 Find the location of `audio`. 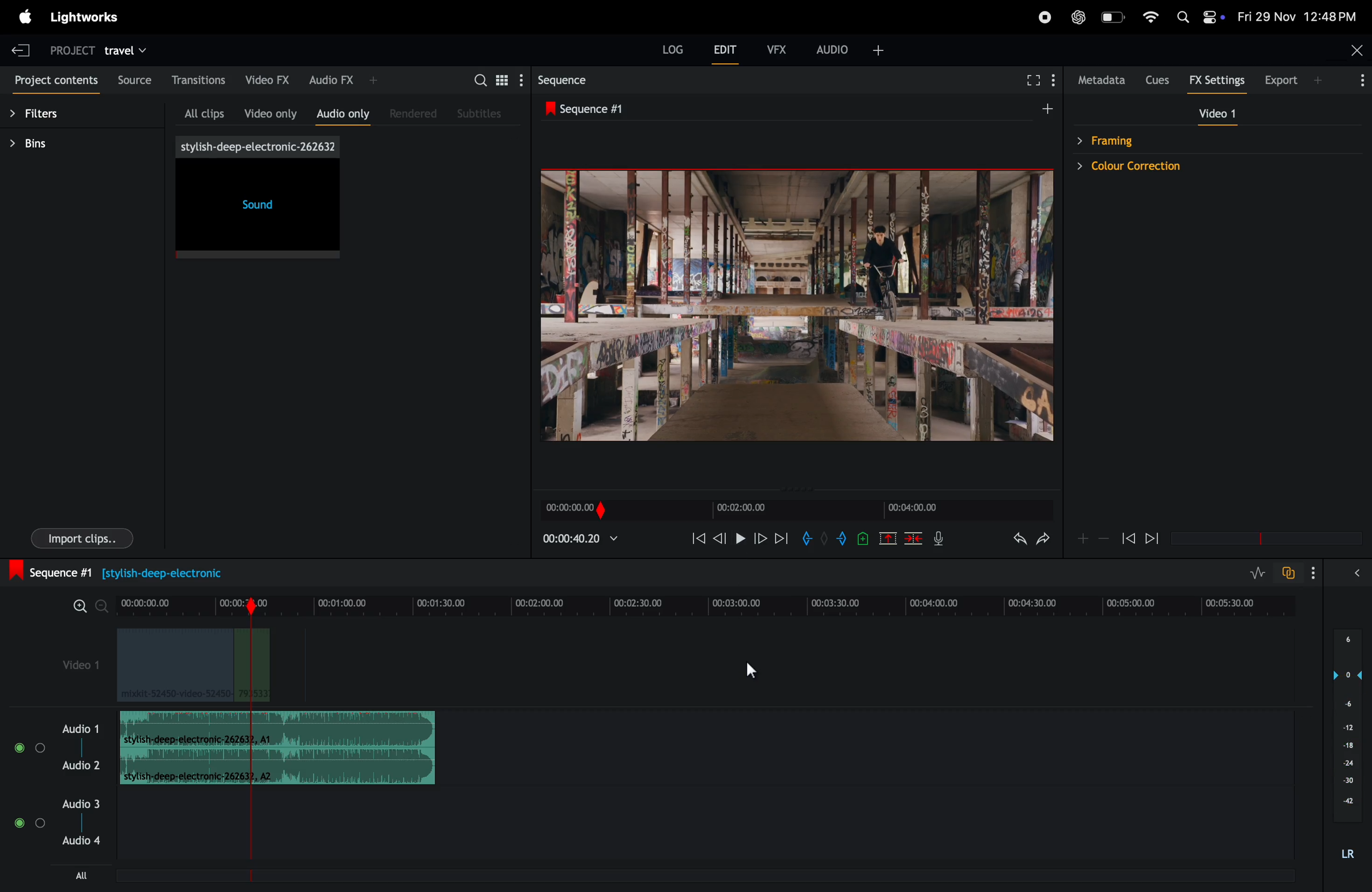

audio is located at coordinates (82, 727).